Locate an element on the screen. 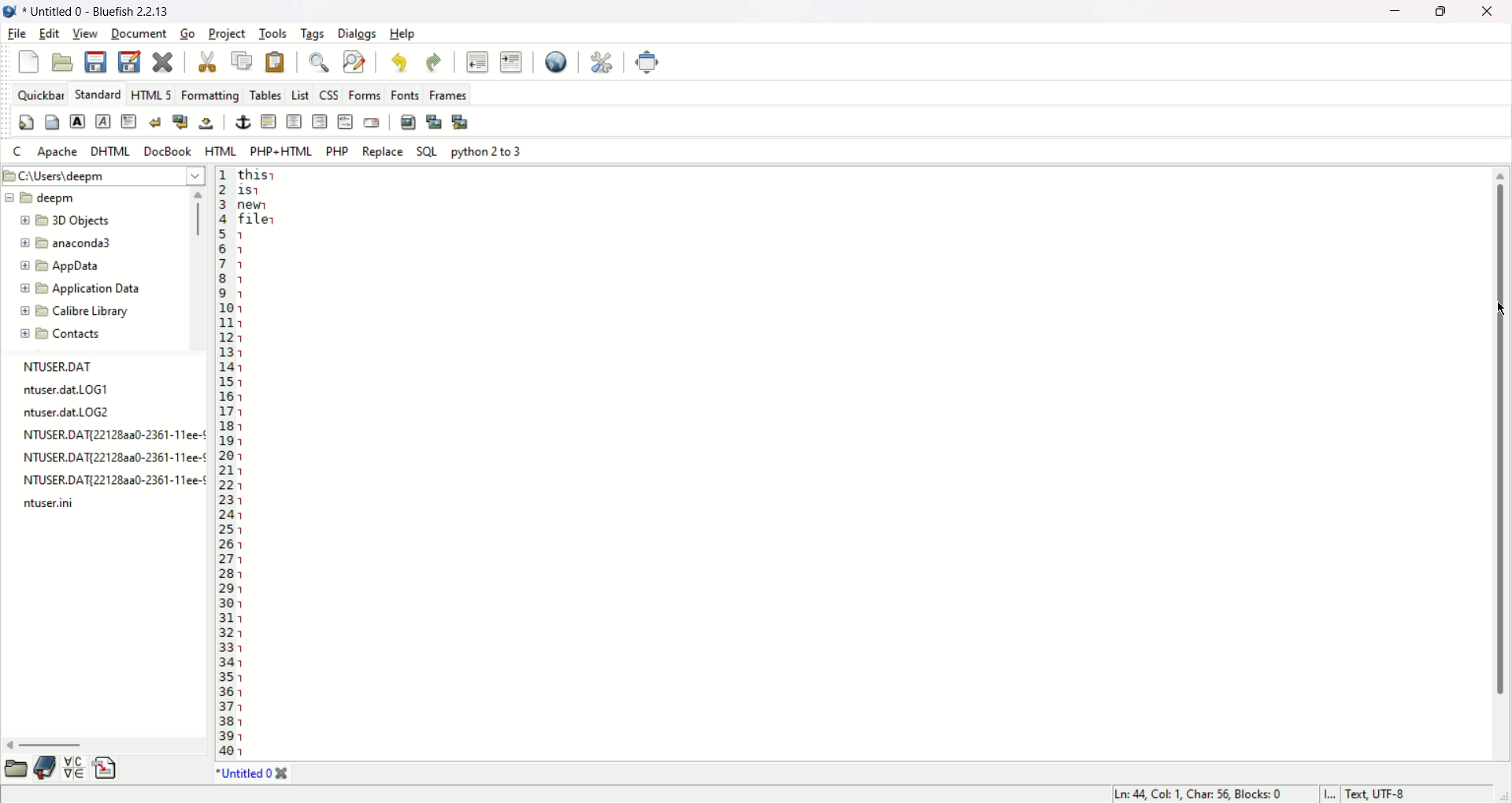 Image resolution: width=1512 pixels, height=803 pixels. close is located at coordinates (283, 774).